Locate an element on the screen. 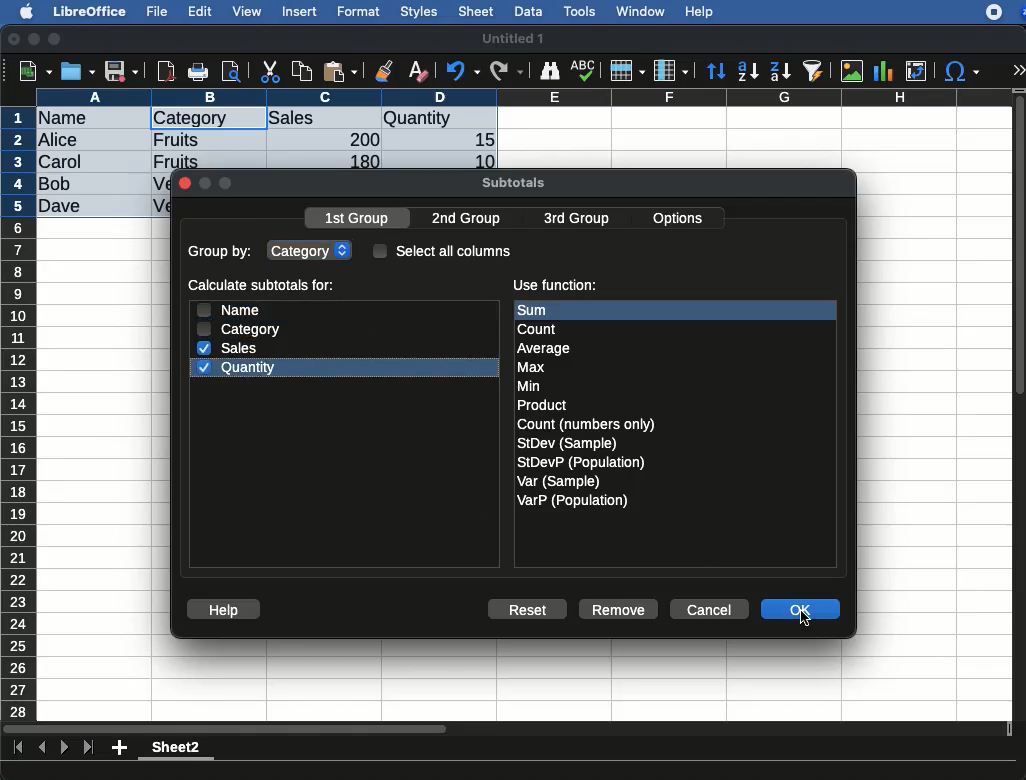 The width and height of the screenshot is (1026, 780). insert is located at coordinates (300, 11).